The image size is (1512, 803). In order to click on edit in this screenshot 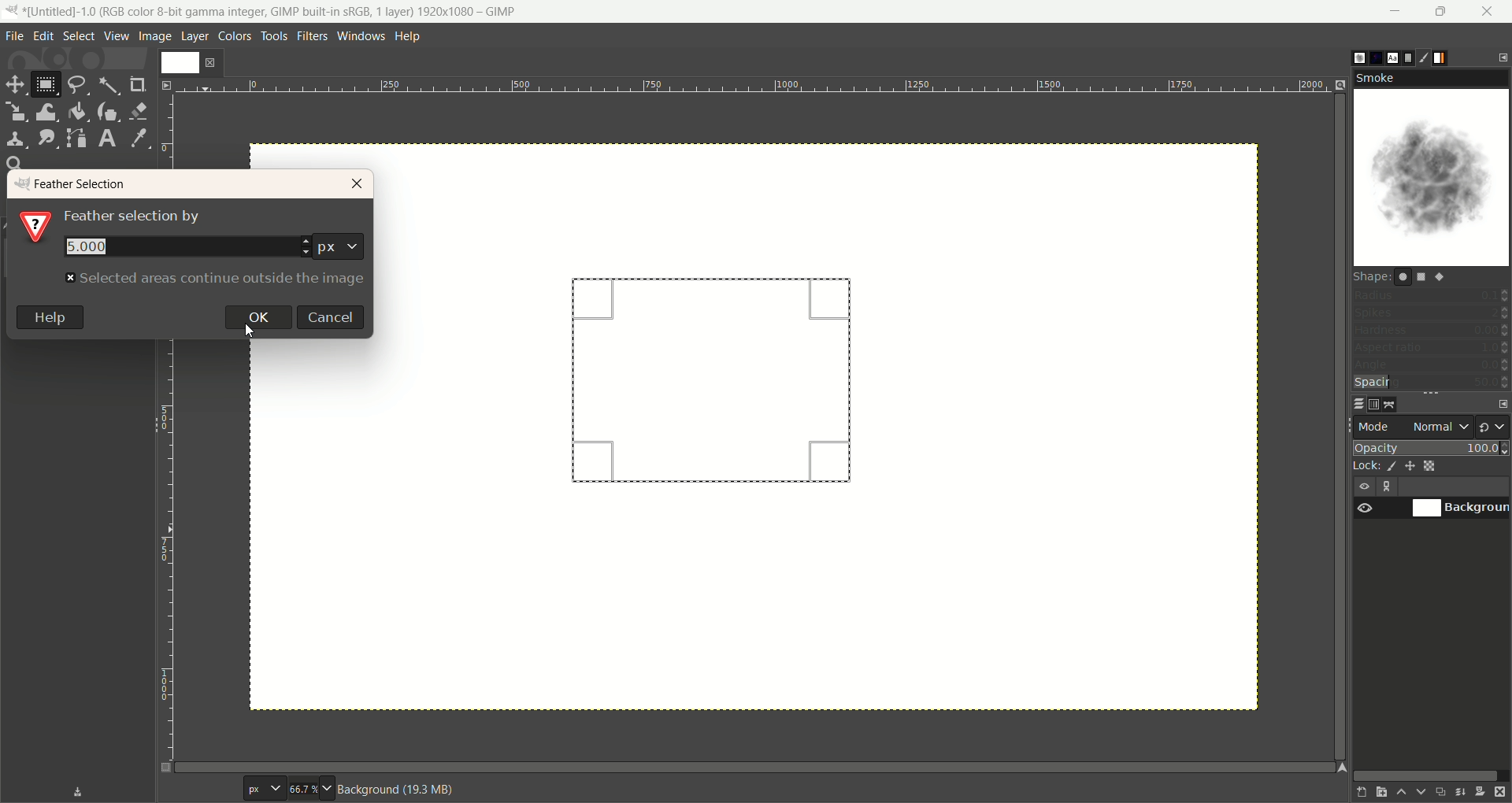, I will do `click(44, 35)`.